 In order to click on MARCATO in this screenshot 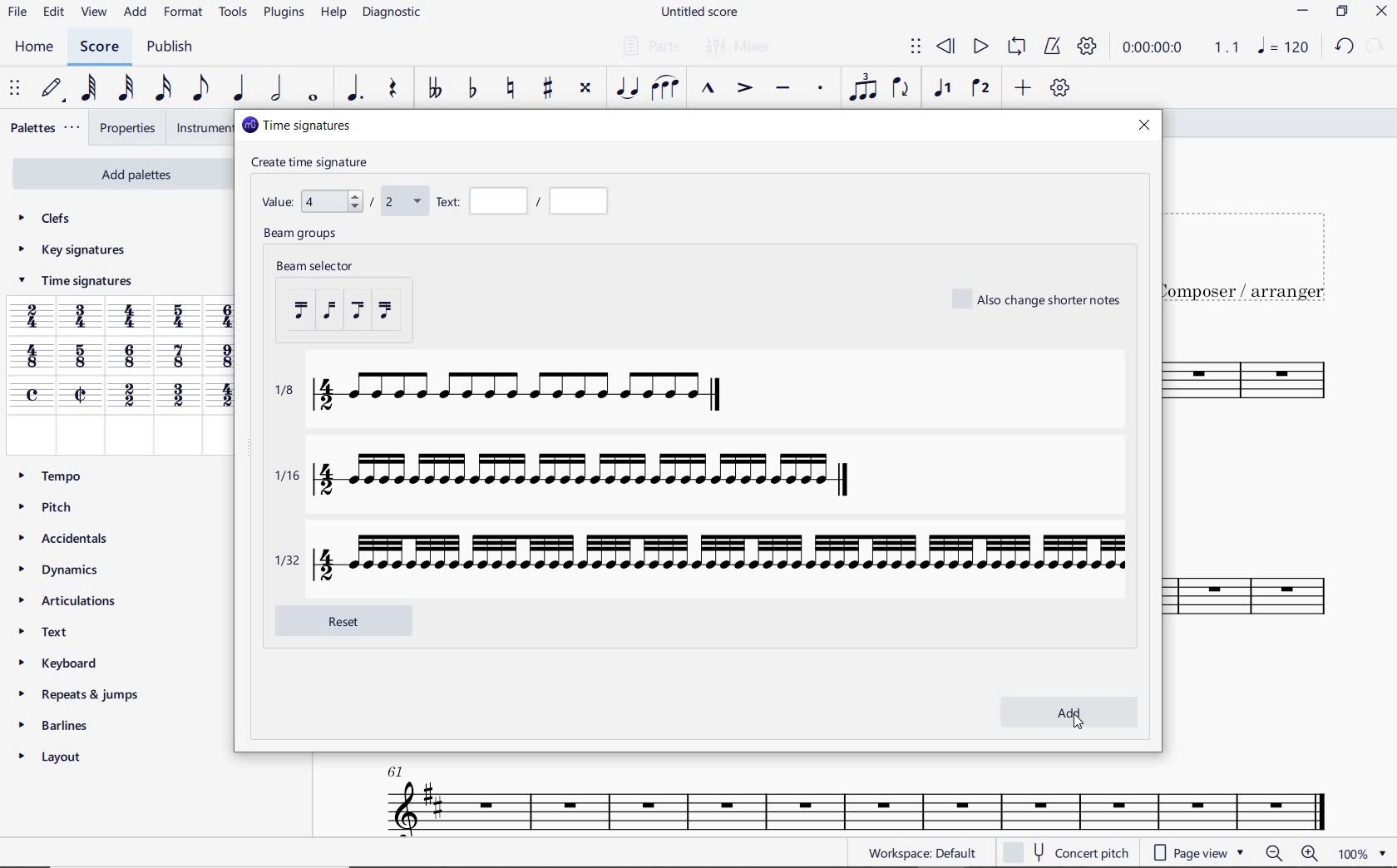, I will do `click(708, 90)`.